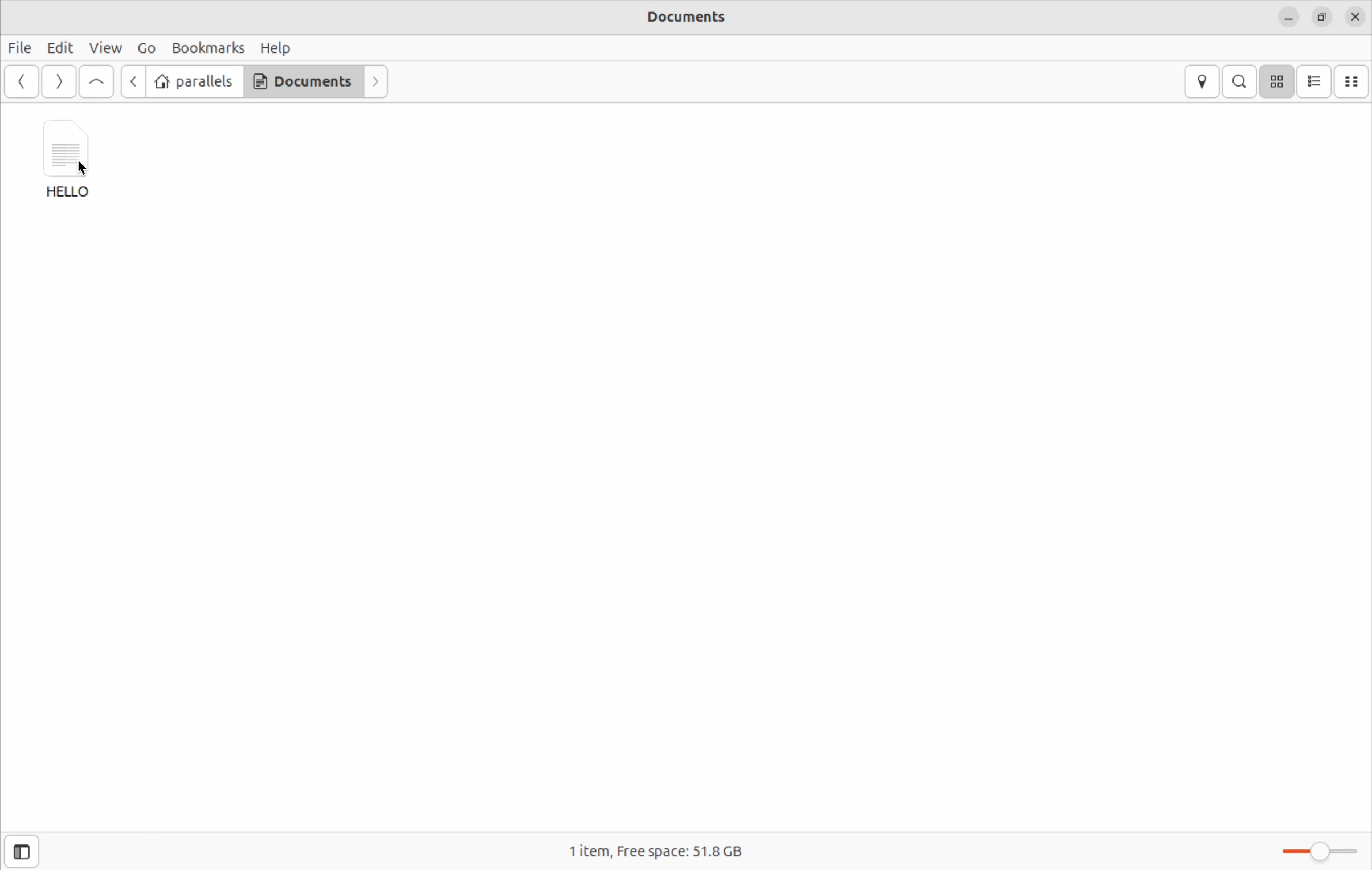  Describe the element at coordinates (1355, 81) in the screenshot. I see `compact view` at that location.